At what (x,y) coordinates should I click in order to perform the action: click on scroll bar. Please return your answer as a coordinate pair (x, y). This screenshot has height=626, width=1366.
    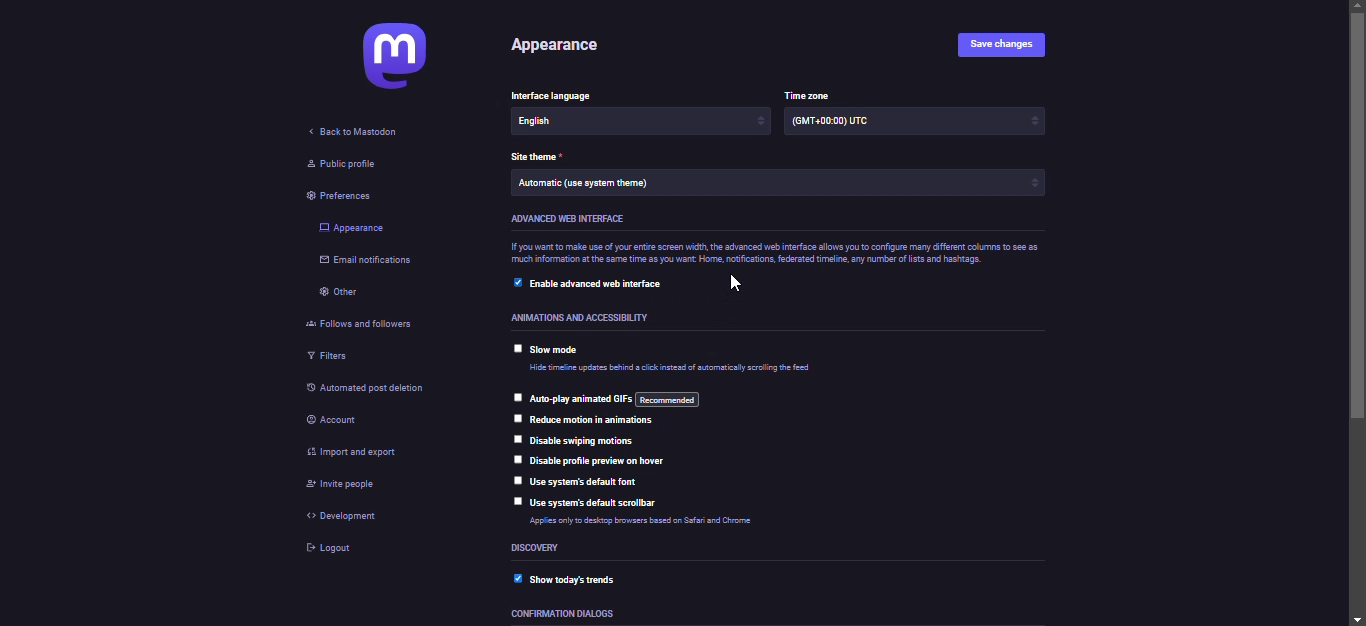
    Looking at the image, I should click on (1356, 215).